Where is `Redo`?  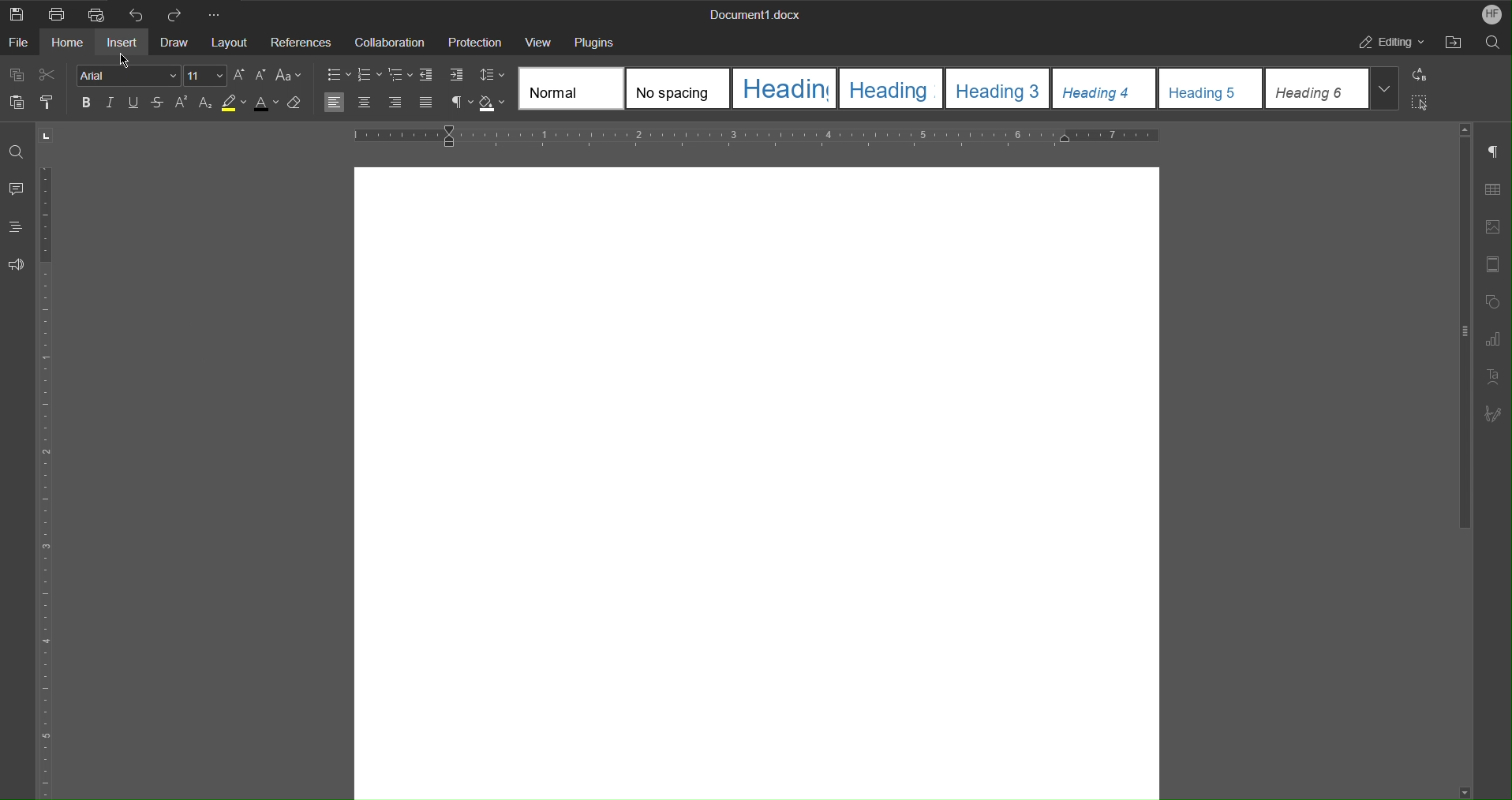
Redo is located at coordinates (176, 13).